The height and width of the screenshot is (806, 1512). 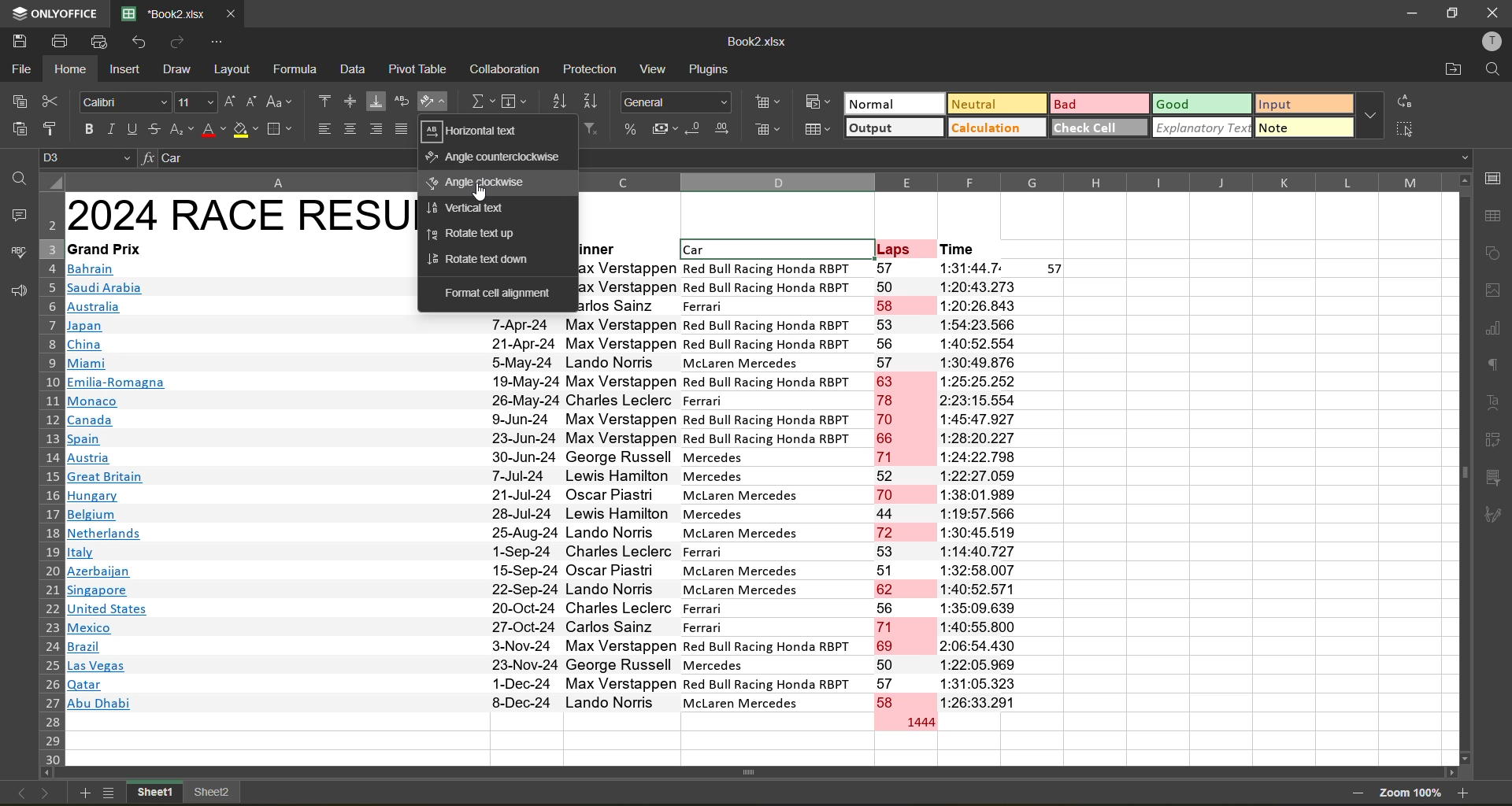 What do you see at coordinates (665, 129) in the screenshot?
I see `accounting` at bounding box center [665, 129].